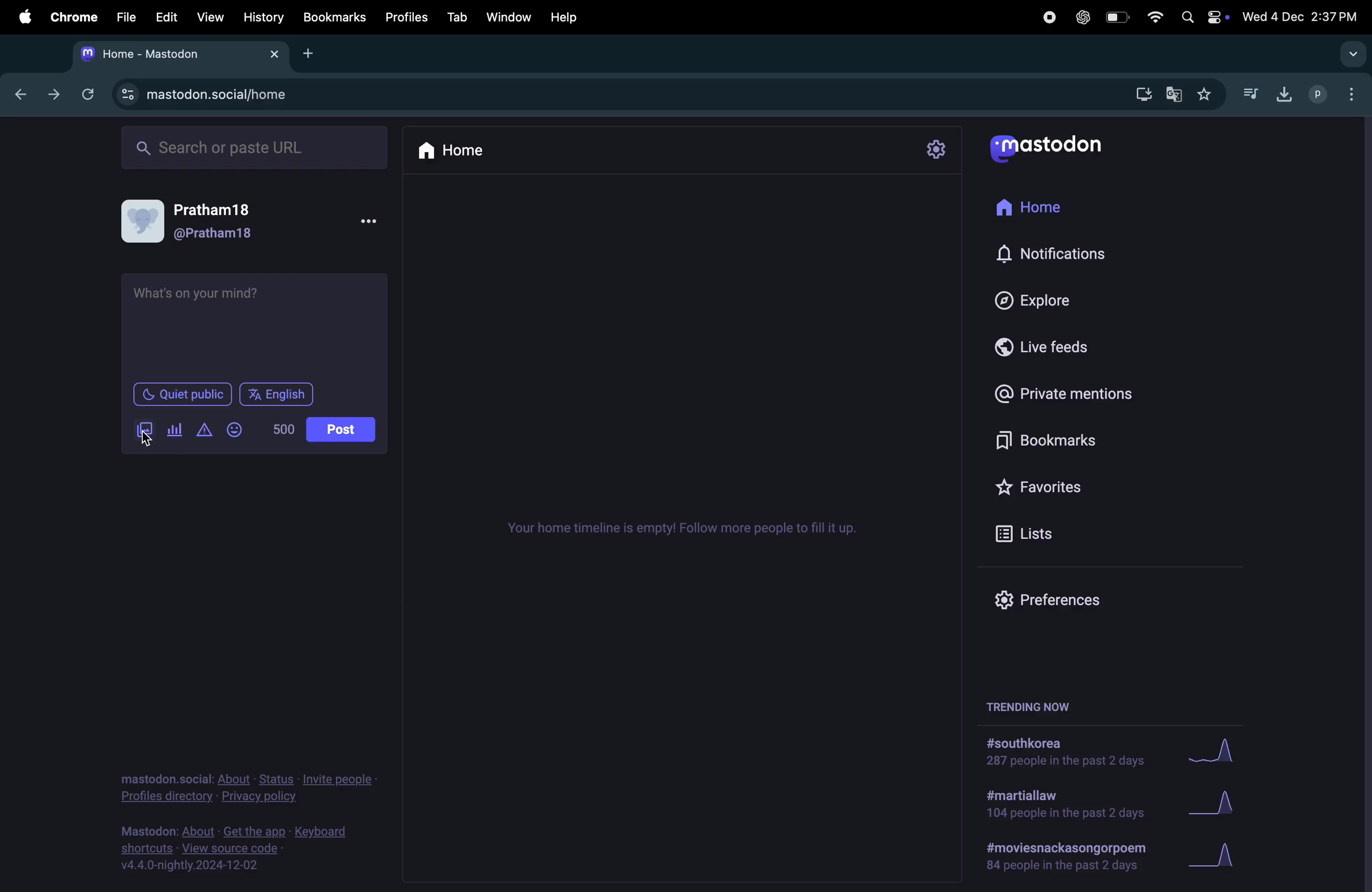 The width and height of the screenshot is (1372, 892). Describe the element at coordinates (1203, 96) in the screenshot. I see `favourites` at that location.